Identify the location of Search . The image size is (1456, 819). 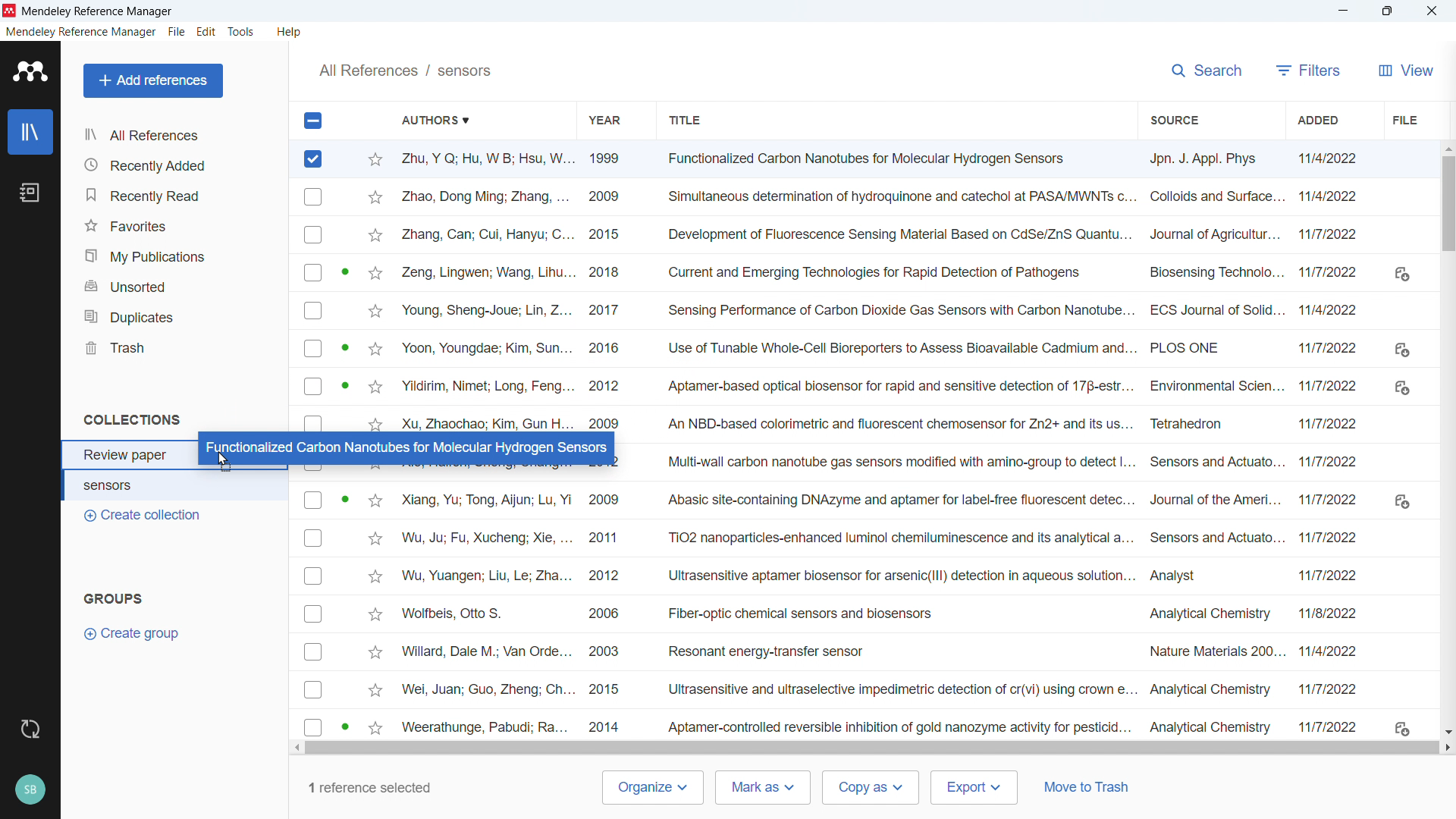
(1206, 71).